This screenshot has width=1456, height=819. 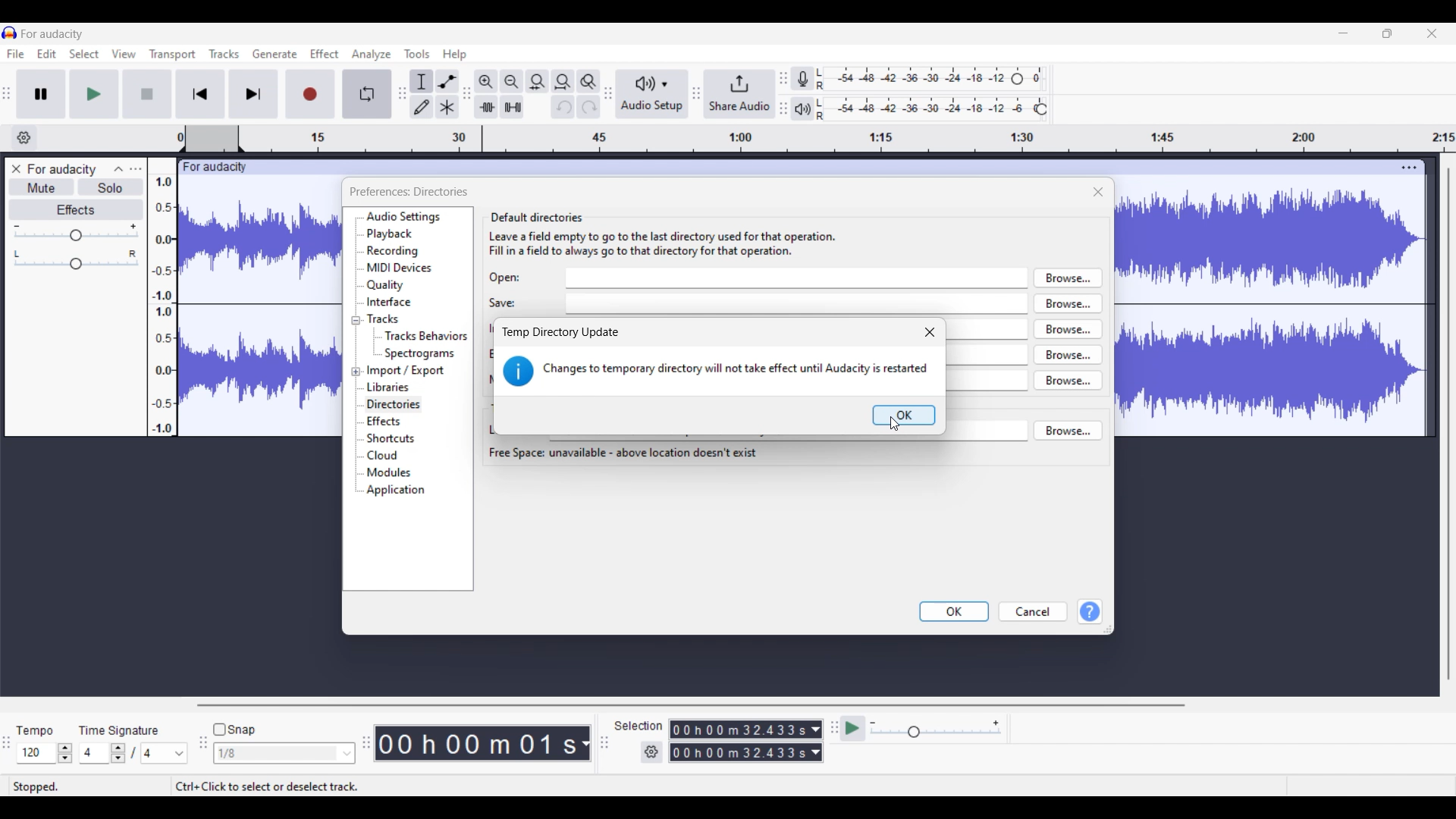 I want to click on Selection duration, so click(x=739, y=741).